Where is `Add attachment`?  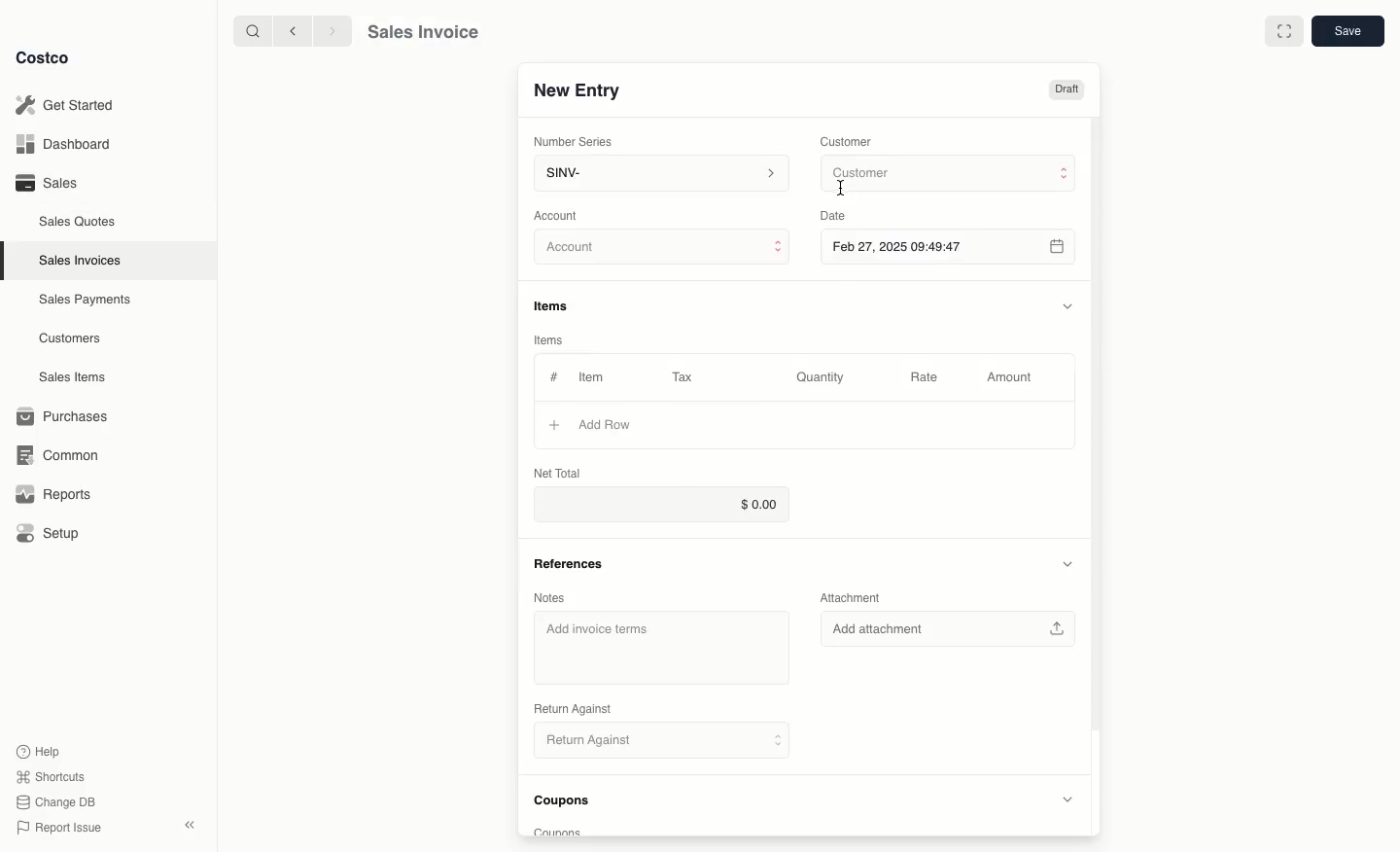 Add attachment is located at coordinates (953, 629).